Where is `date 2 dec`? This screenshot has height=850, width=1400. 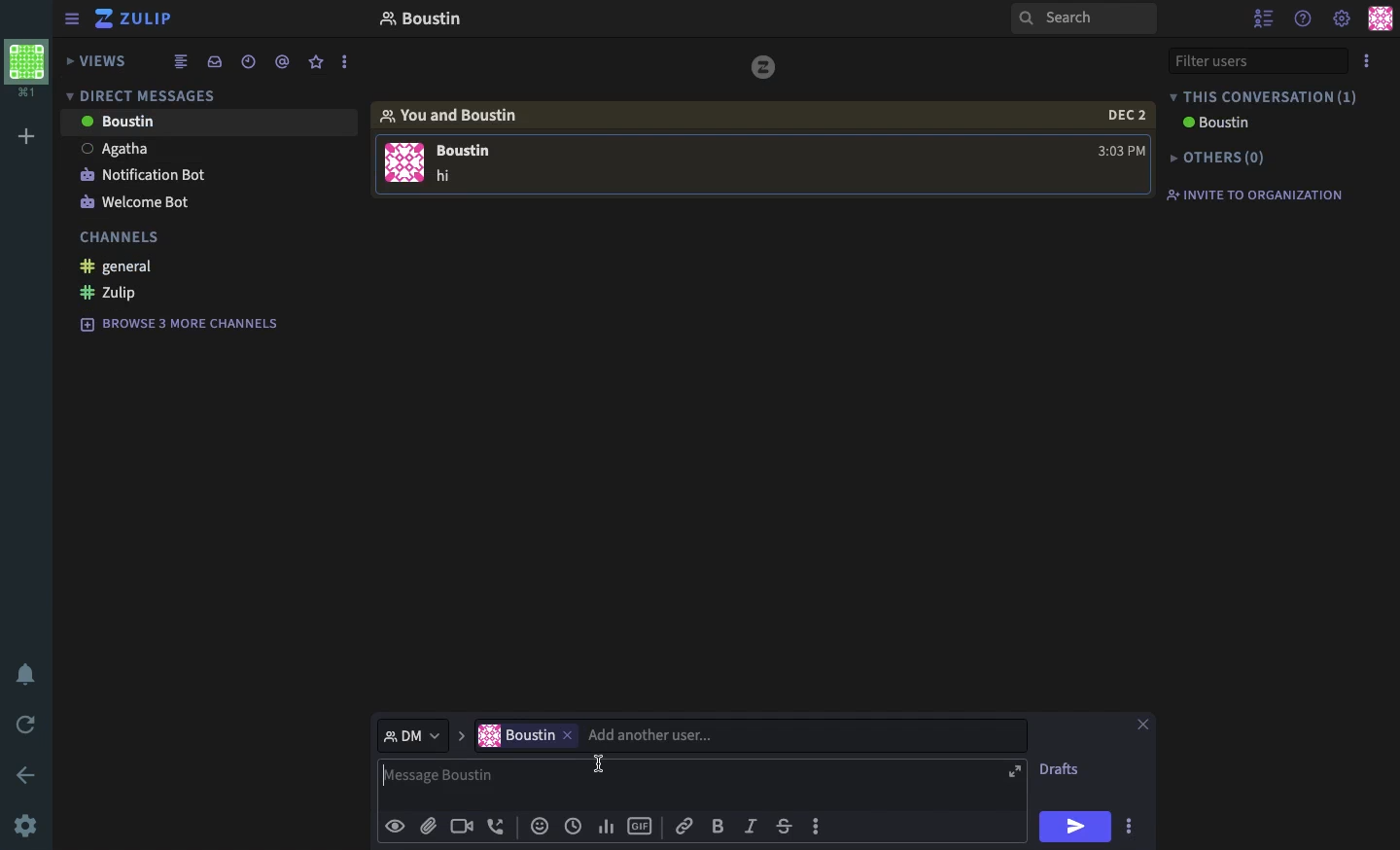
date 2 dec is located at coordinates (1119, 116).